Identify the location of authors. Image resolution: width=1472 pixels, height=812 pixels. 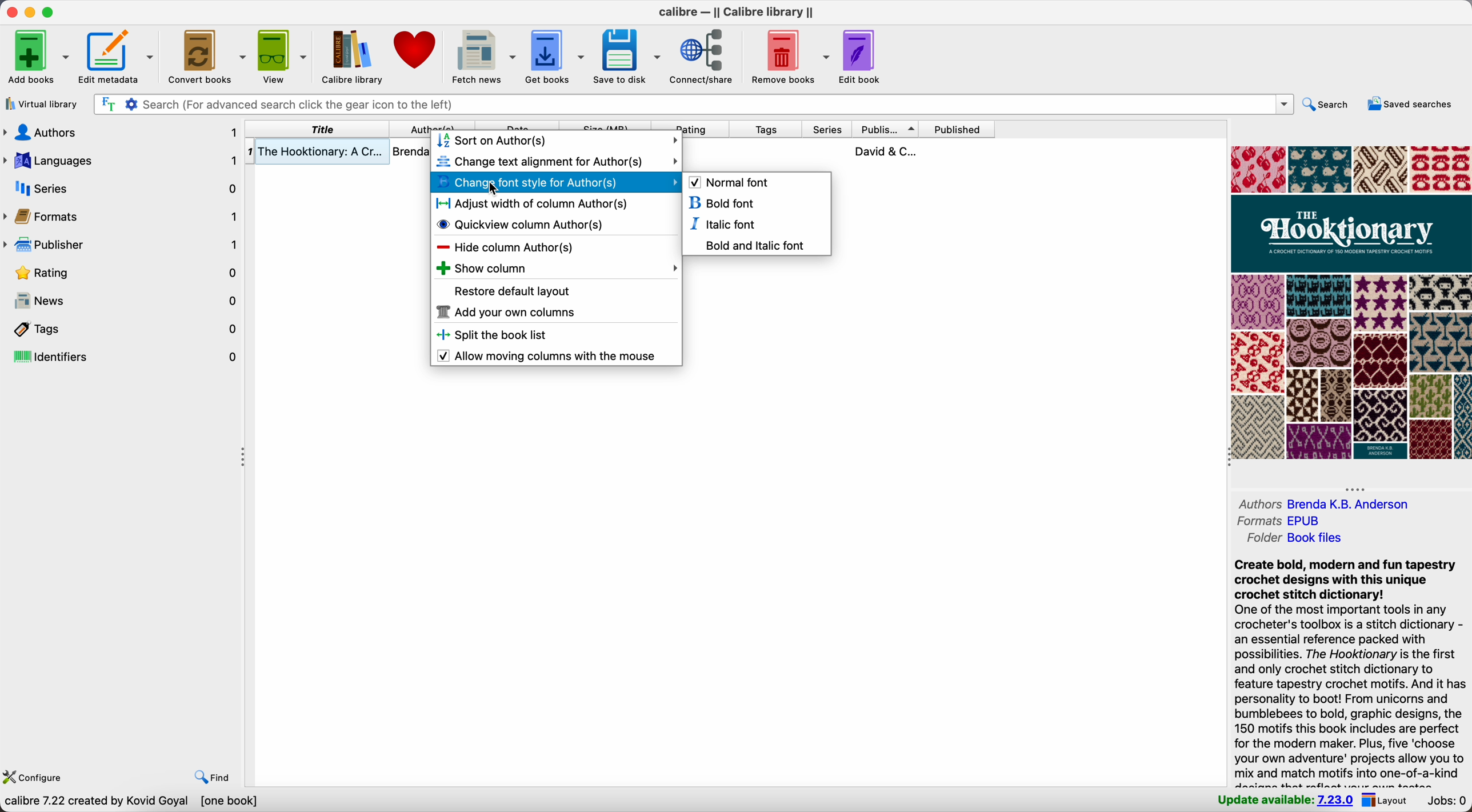
(1327, 503).